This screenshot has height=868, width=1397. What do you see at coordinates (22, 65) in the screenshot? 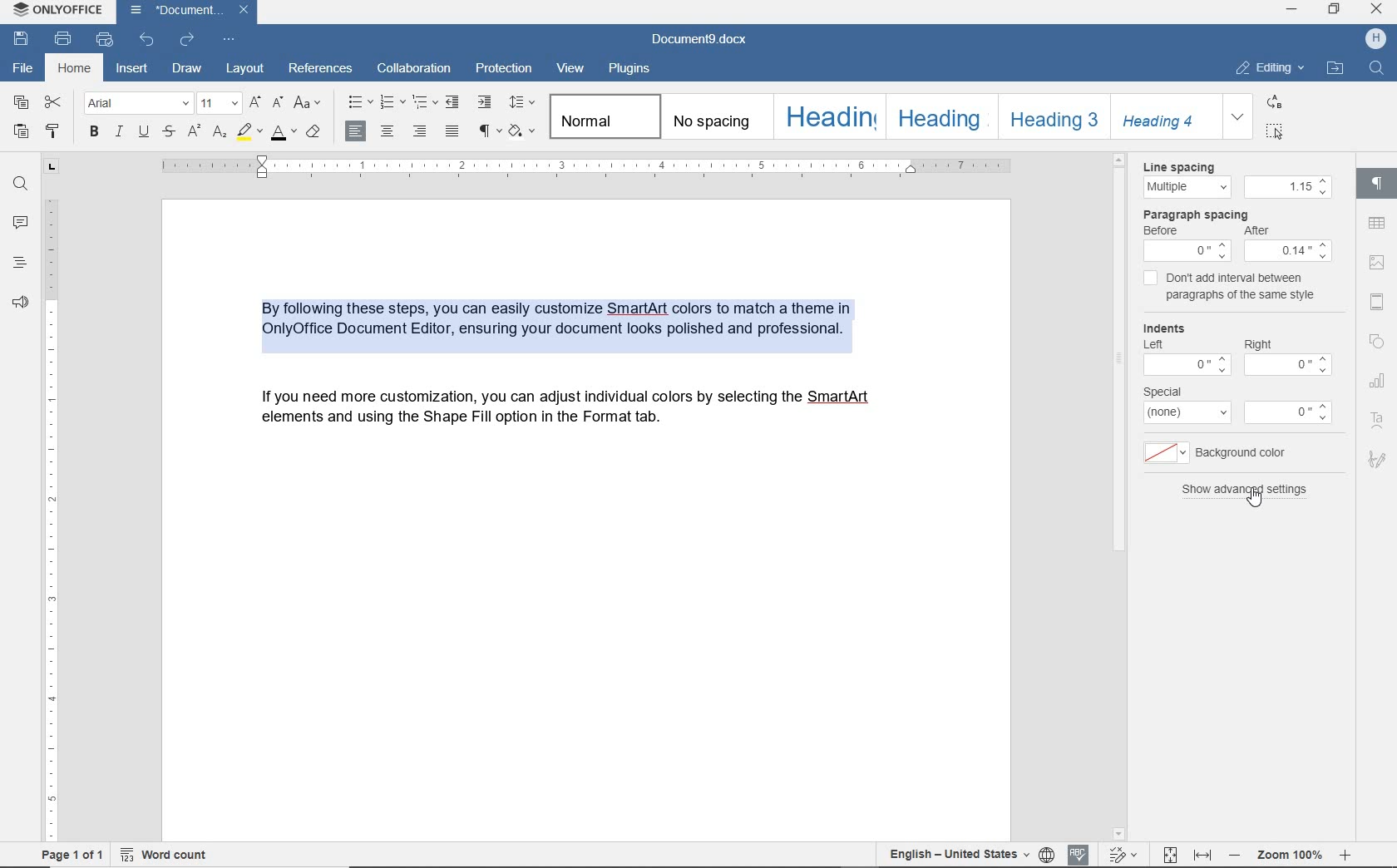
I see `file` at bounding box center [22, 65].